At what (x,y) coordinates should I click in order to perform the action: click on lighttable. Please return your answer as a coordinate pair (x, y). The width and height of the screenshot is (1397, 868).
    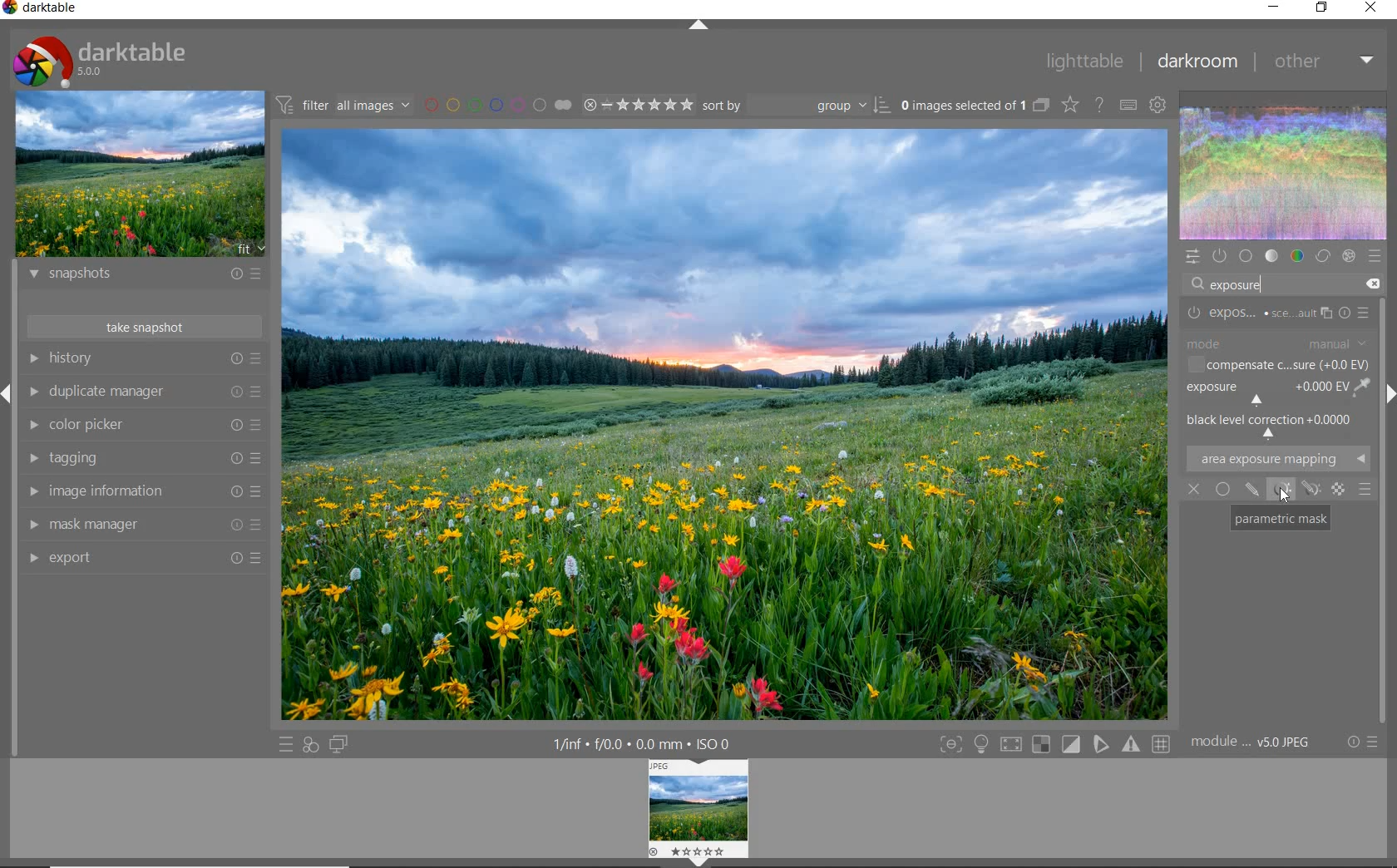
    Looking at the image, I should click on (1086, 63).